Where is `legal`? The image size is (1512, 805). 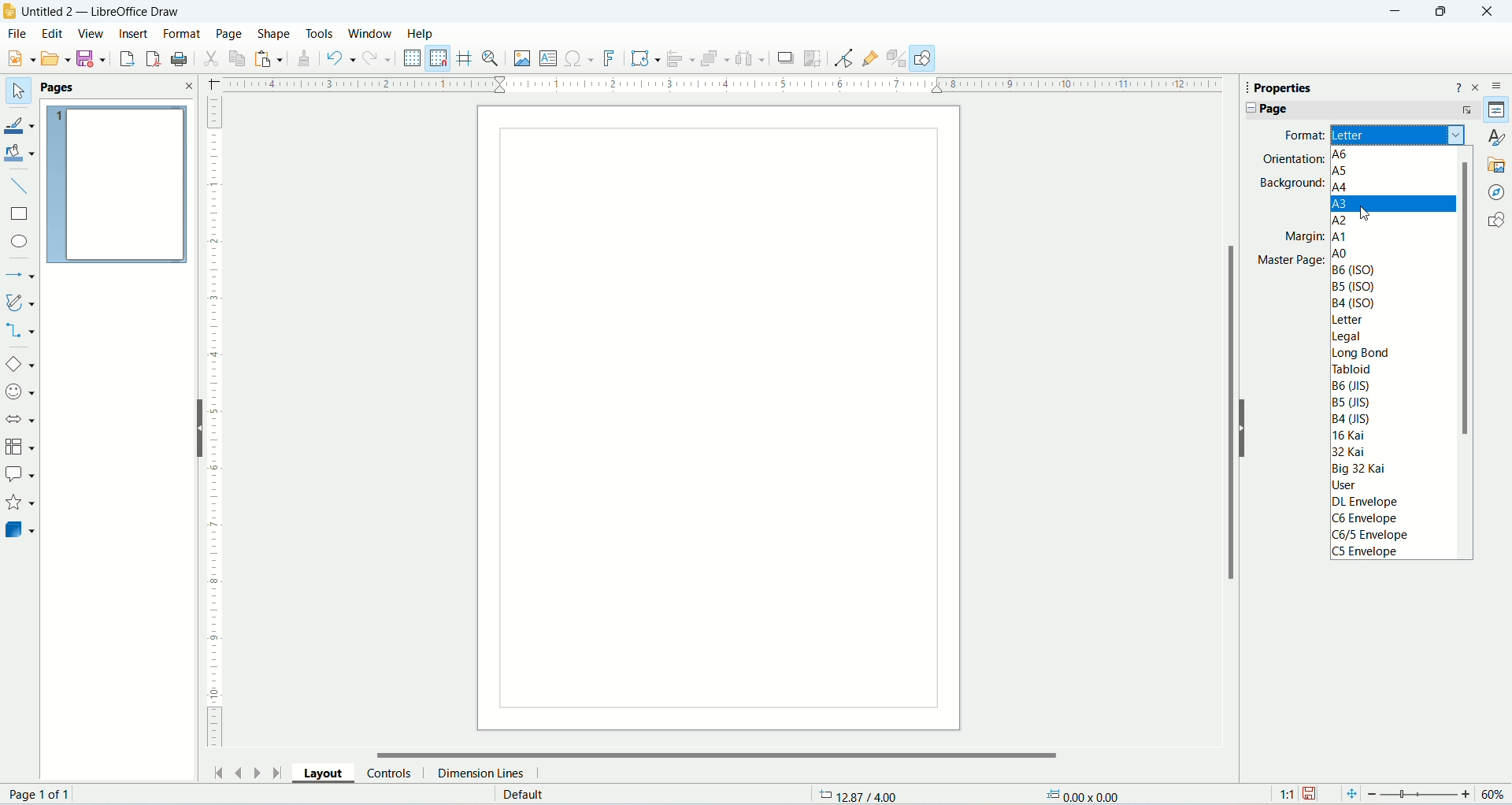 legal is located at coordinates (1348, 337).